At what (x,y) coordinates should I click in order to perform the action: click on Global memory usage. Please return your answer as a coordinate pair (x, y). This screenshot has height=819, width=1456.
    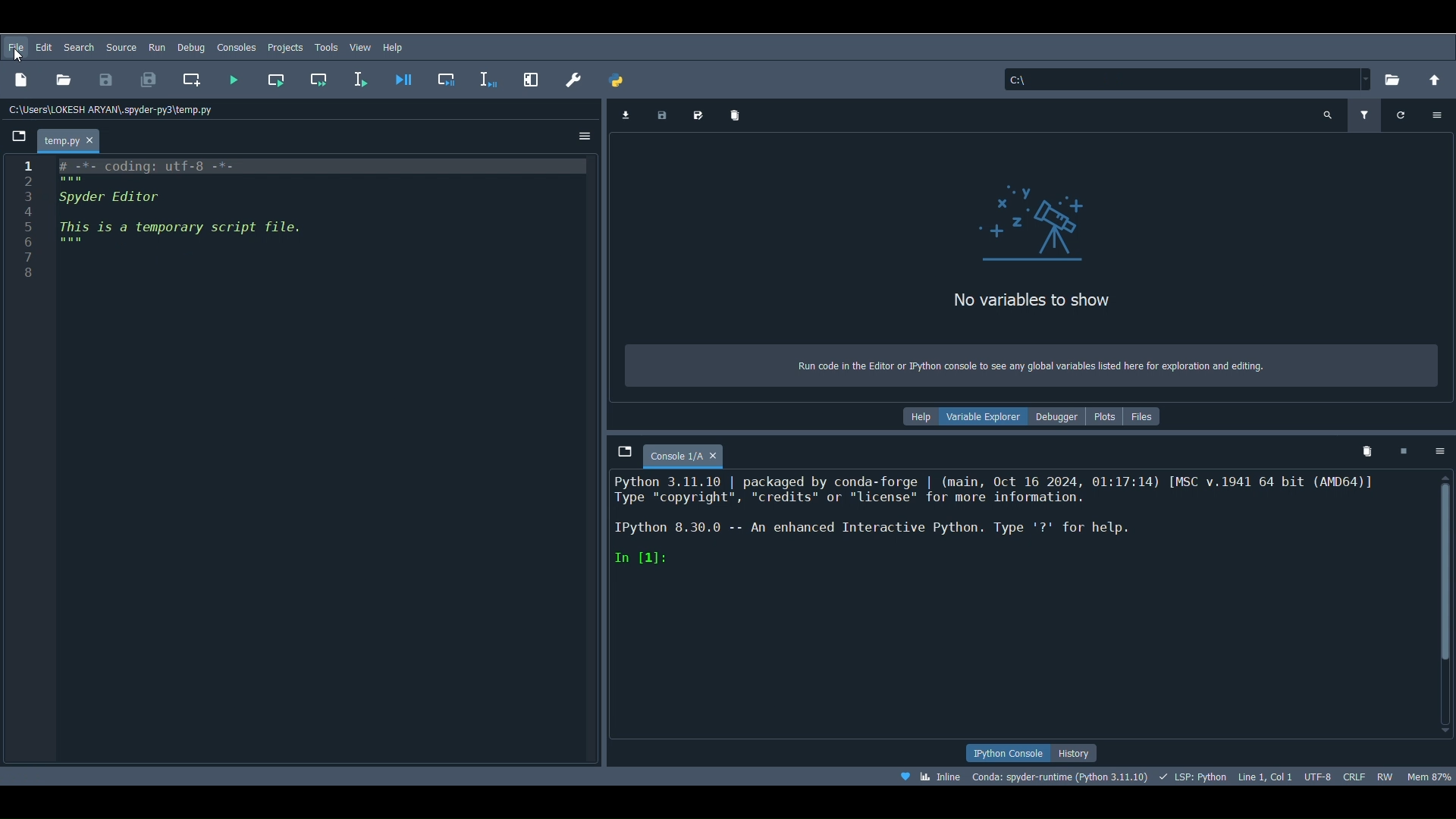
    Looking at the image, I should click on (1428, 777).